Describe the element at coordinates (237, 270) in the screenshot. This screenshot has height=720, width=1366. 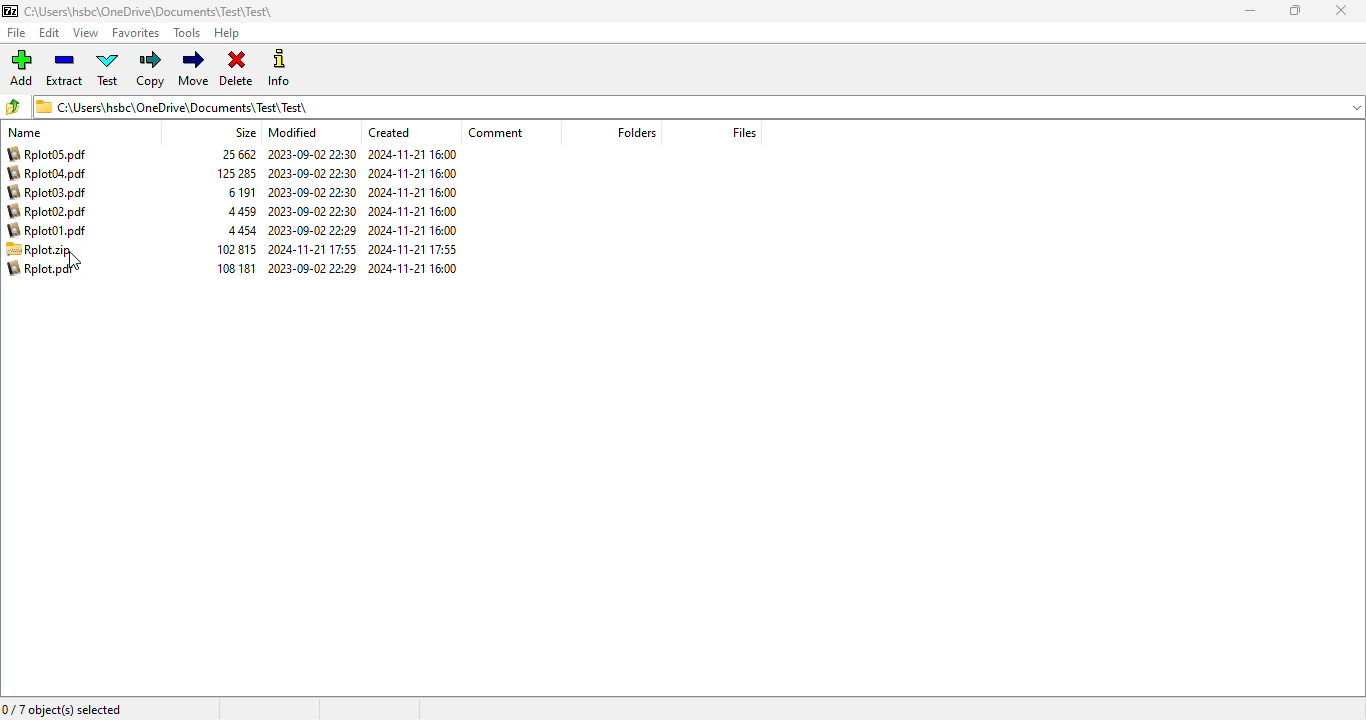
I see `Rplot.pdf 108181 2023-09-02 22:29 2024-11-21 16:00` at that location.